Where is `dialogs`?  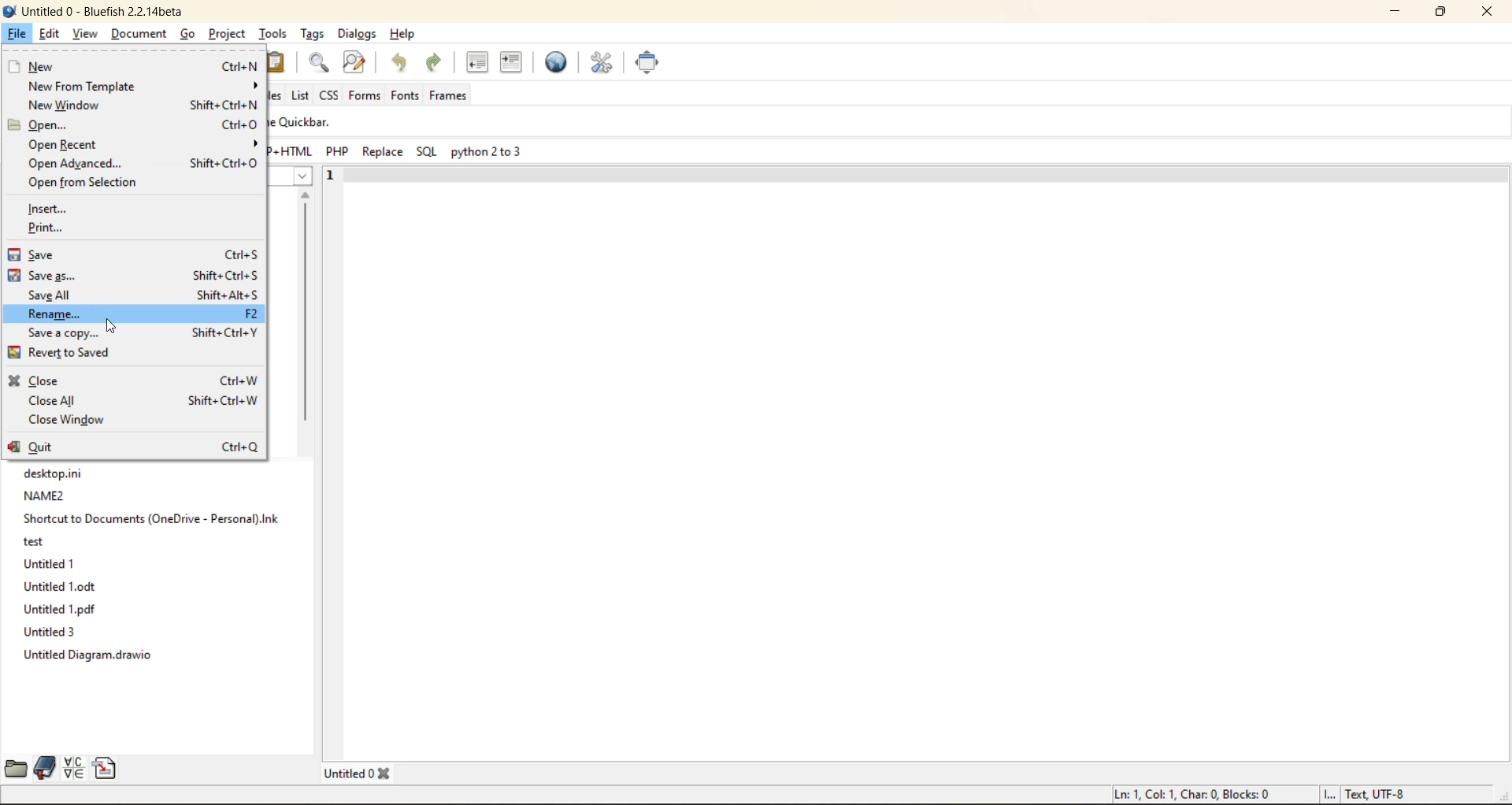 dialogs is located at coordinates (358, 36).